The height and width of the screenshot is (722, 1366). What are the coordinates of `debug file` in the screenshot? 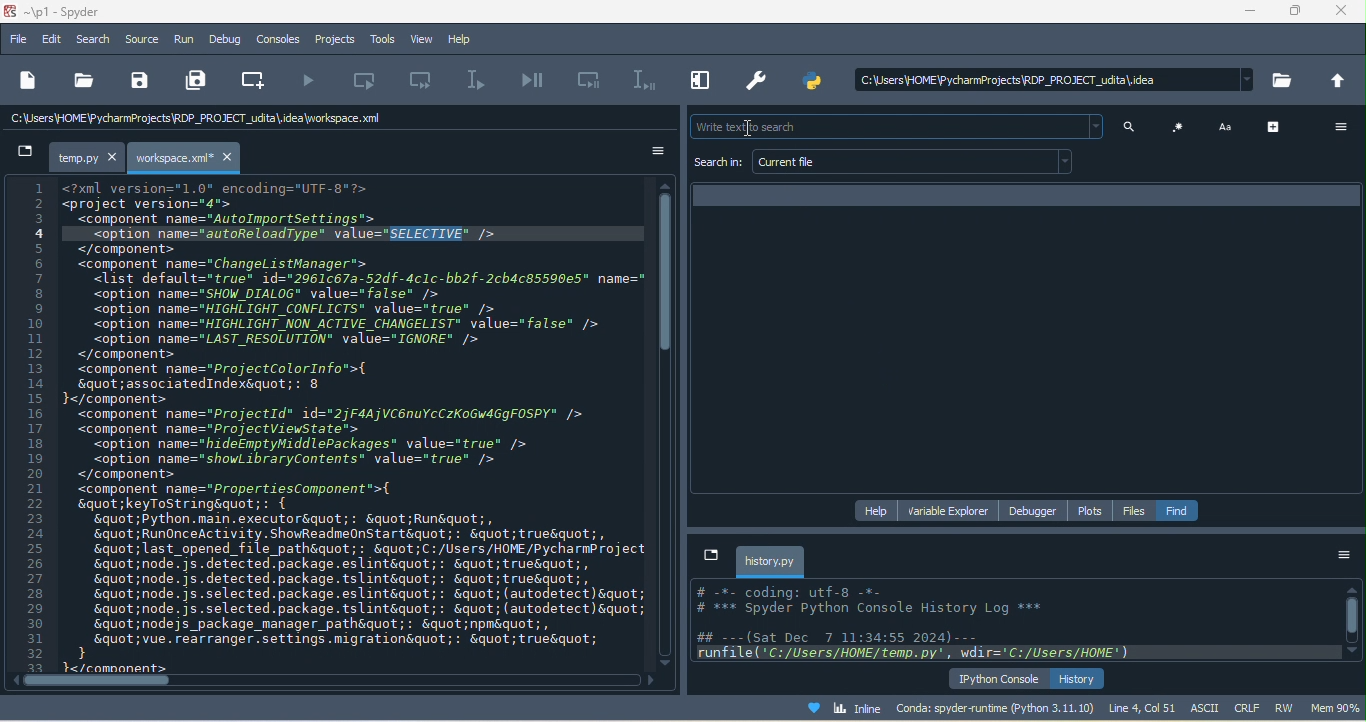 It's located at (534, 81).